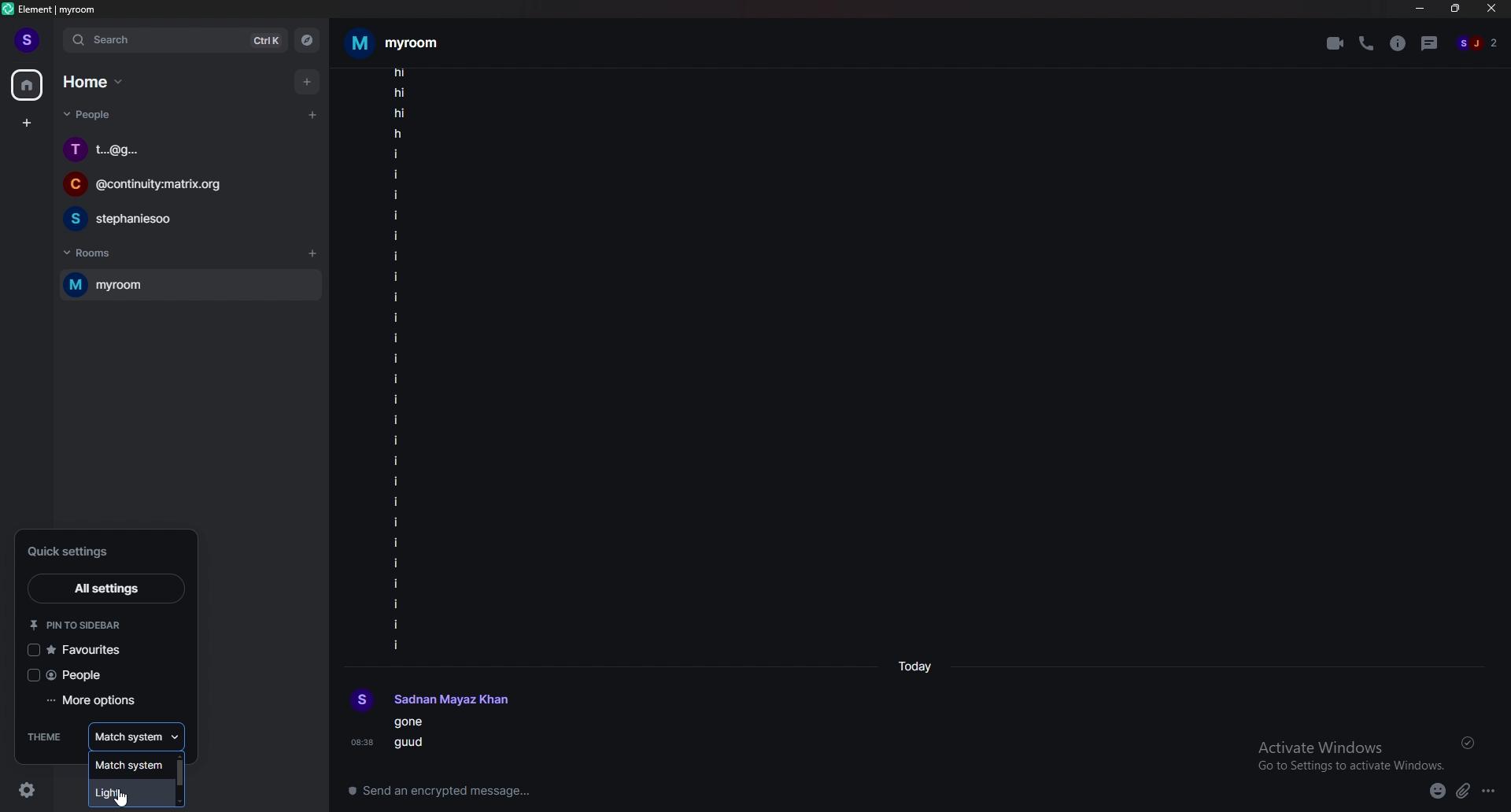 The height and width of the screenshot is (812, 1511). I want to click on theme, so click(47, 736).